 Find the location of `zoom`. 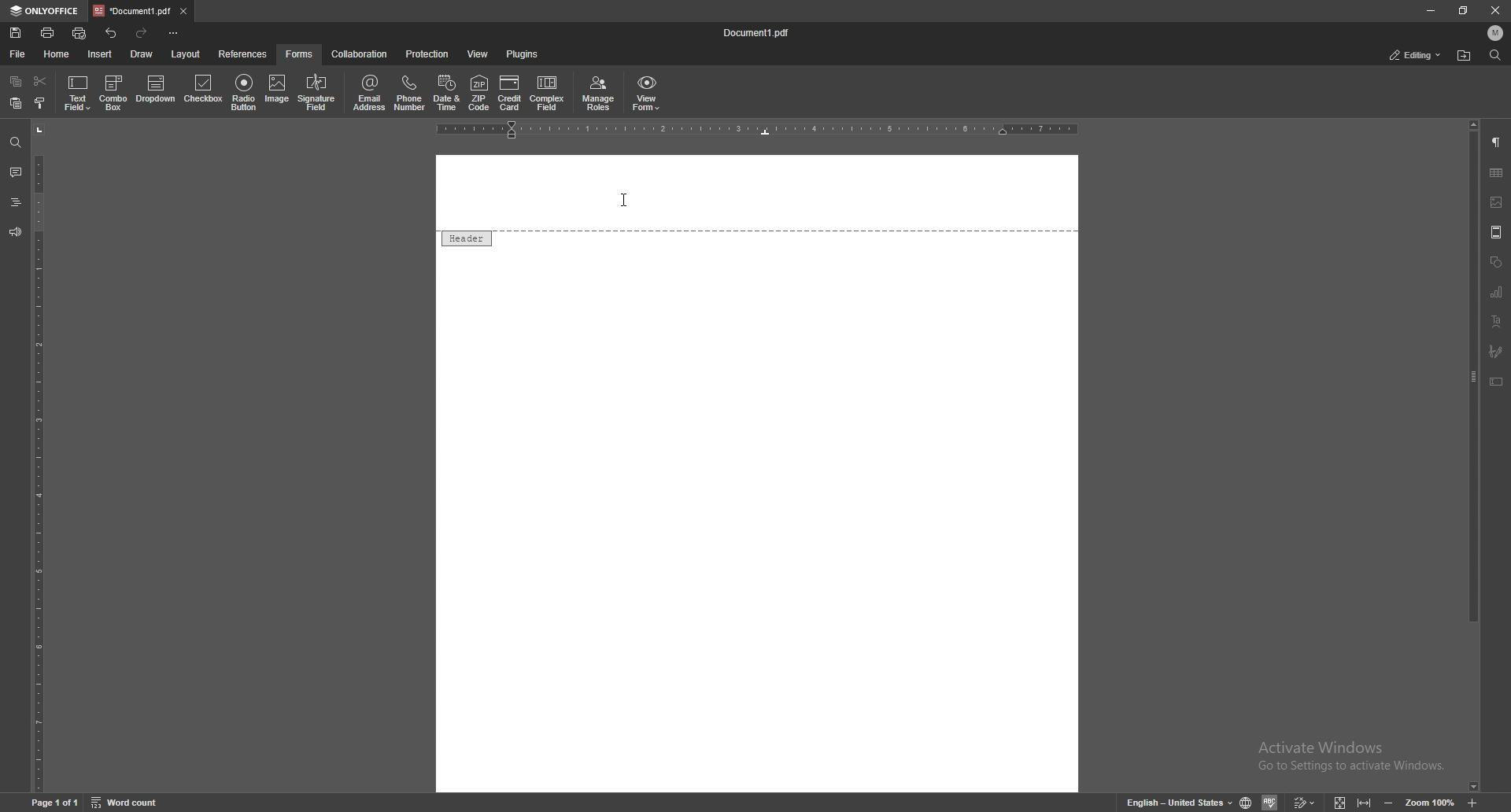

zoom is located at coordinates (1432, 802).